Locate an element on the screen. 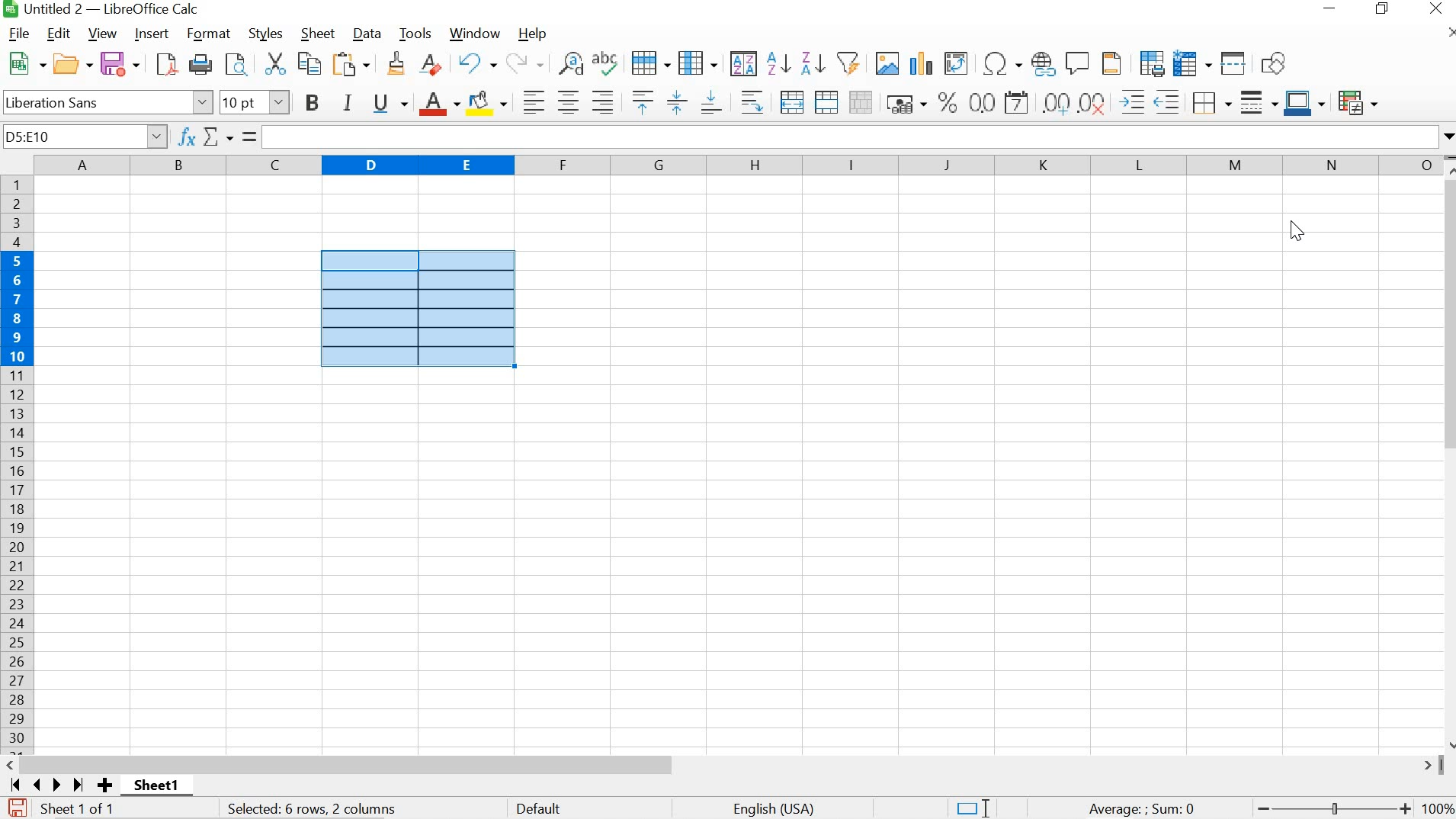  SORT DESCENDING is located at coordinates (813, 64).